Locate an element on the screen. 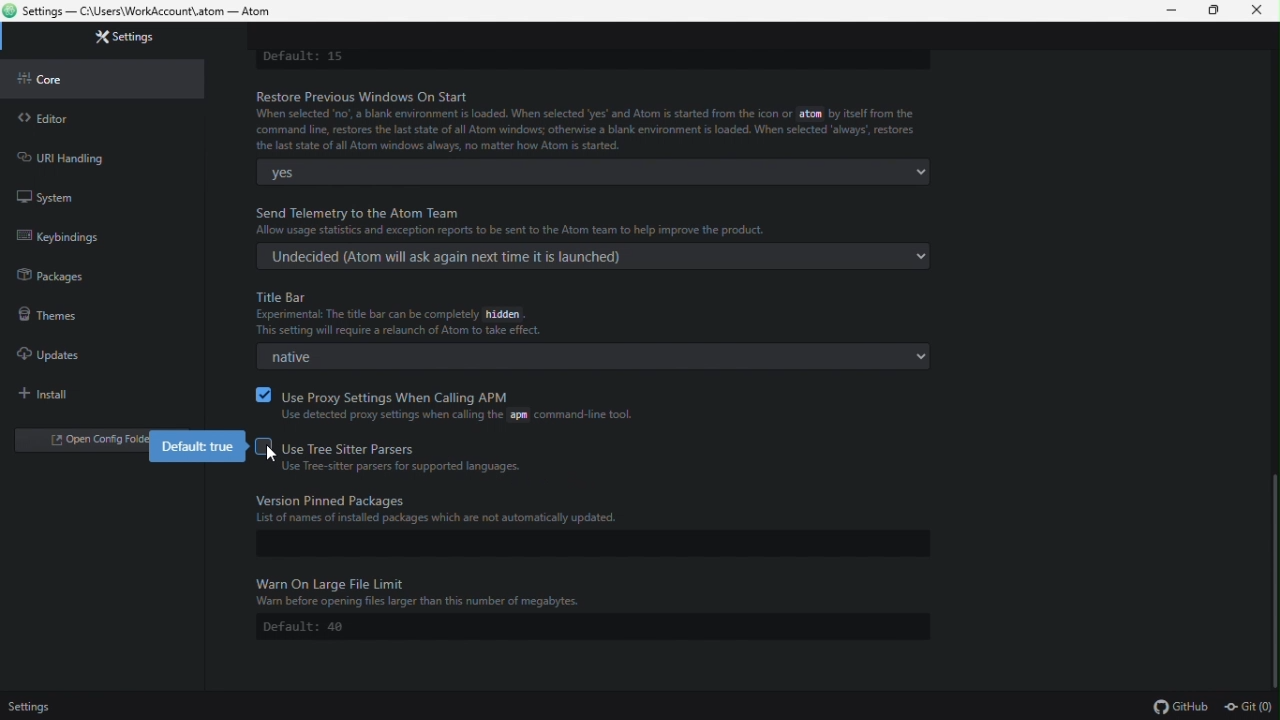 The height and width of the screenshot is (720, 1280).  is located at coordinates (591, 594).